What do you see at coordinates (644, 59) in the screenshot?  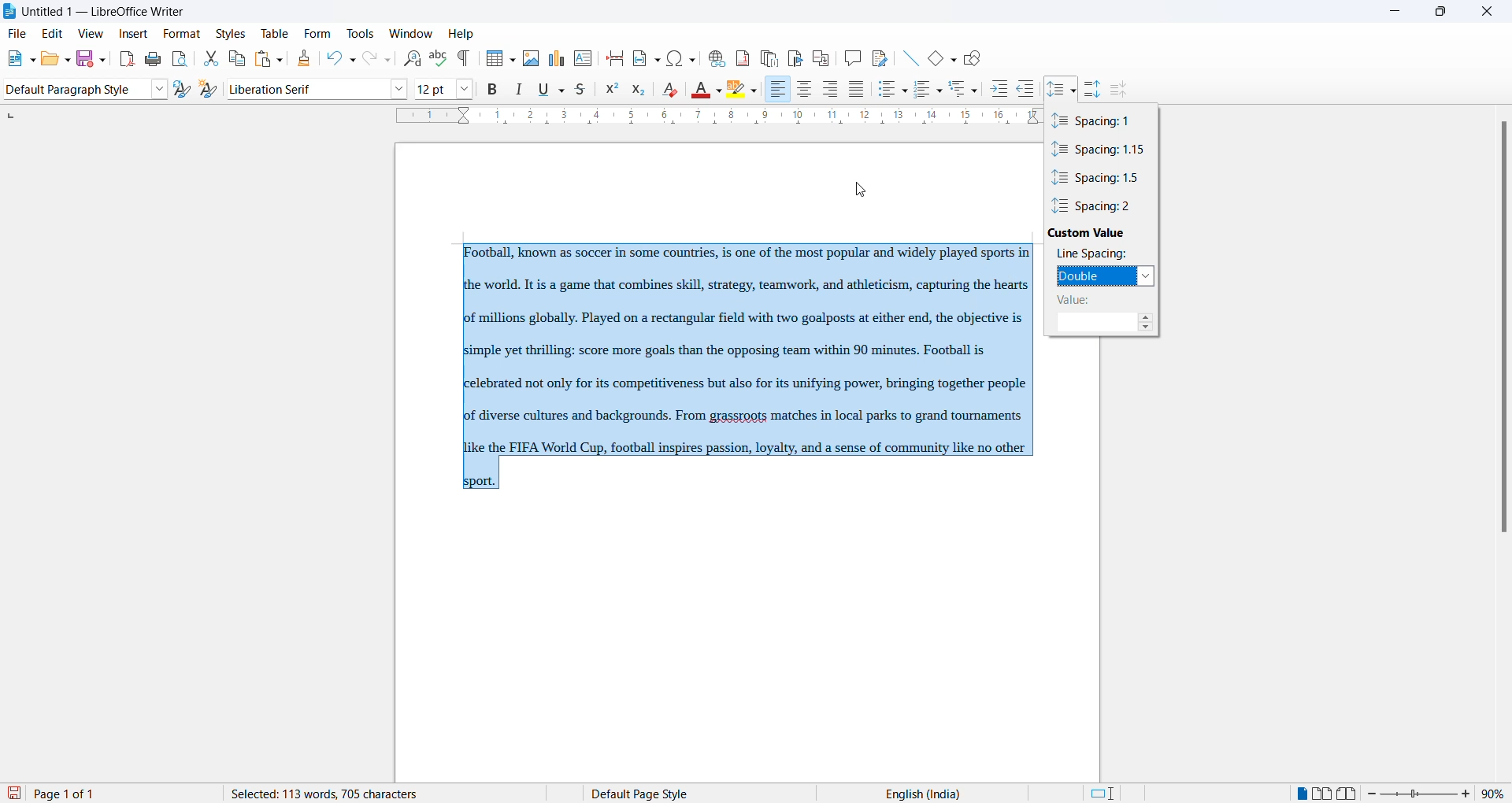 I see `insert field` at bounding box center [644, 59].